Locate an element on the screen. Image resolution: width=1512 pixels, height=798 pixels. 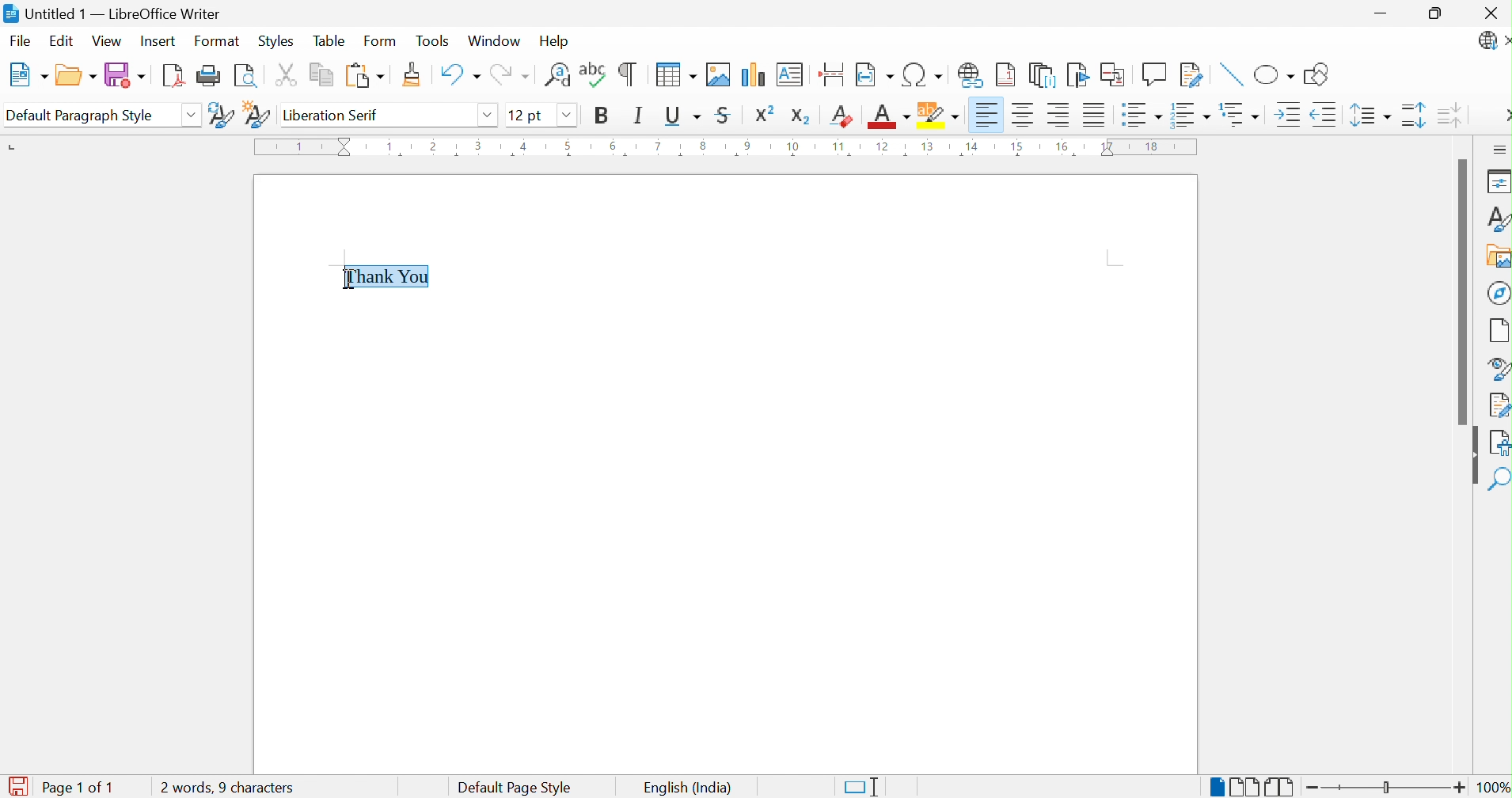
Bold is located at coordinates (602, 113).